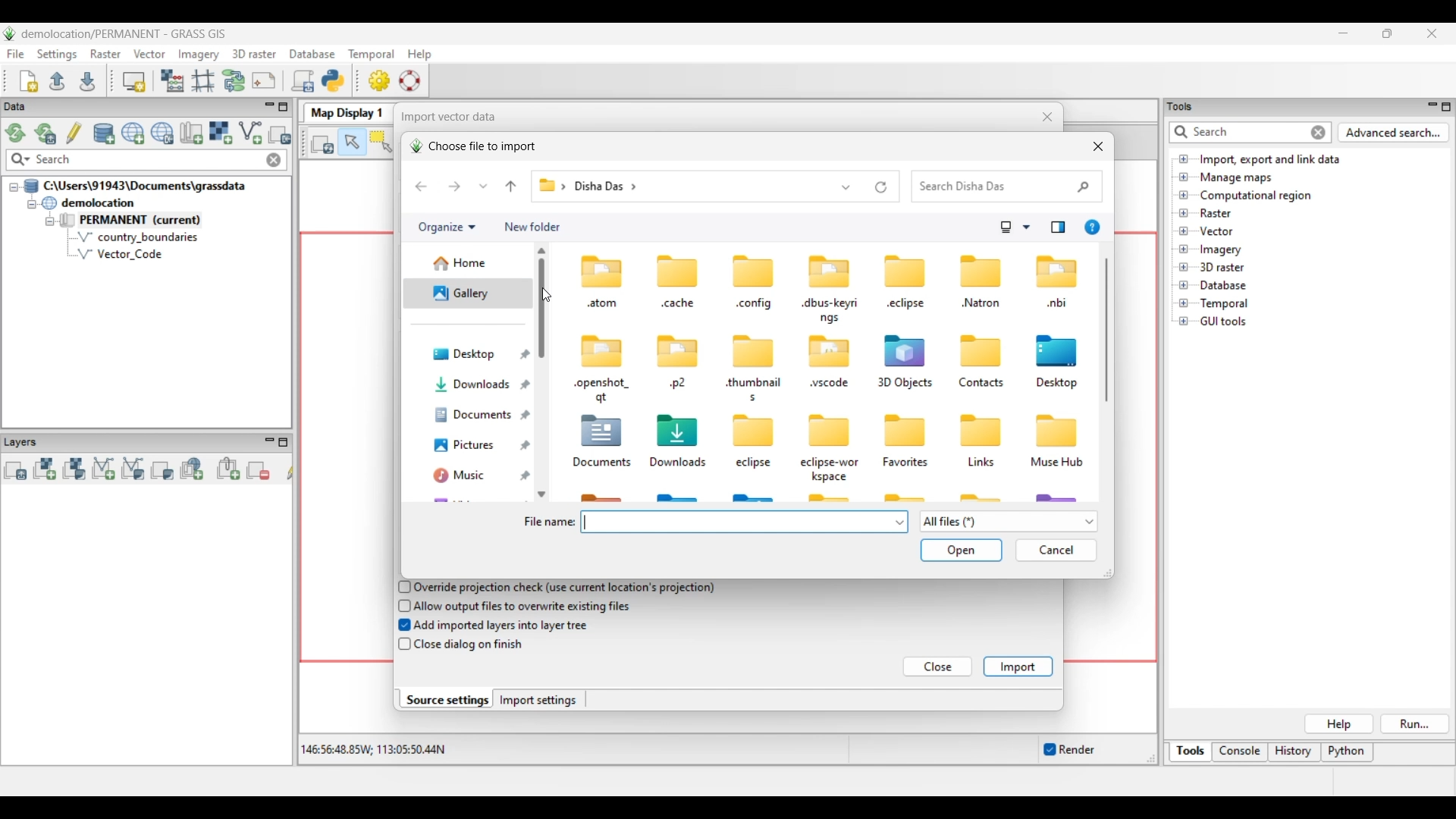 The height and width of the screenshot is (819, 1456). Describe the element at coordinates (279, 134) in the screenshot. I see `Select another import option` at that location.